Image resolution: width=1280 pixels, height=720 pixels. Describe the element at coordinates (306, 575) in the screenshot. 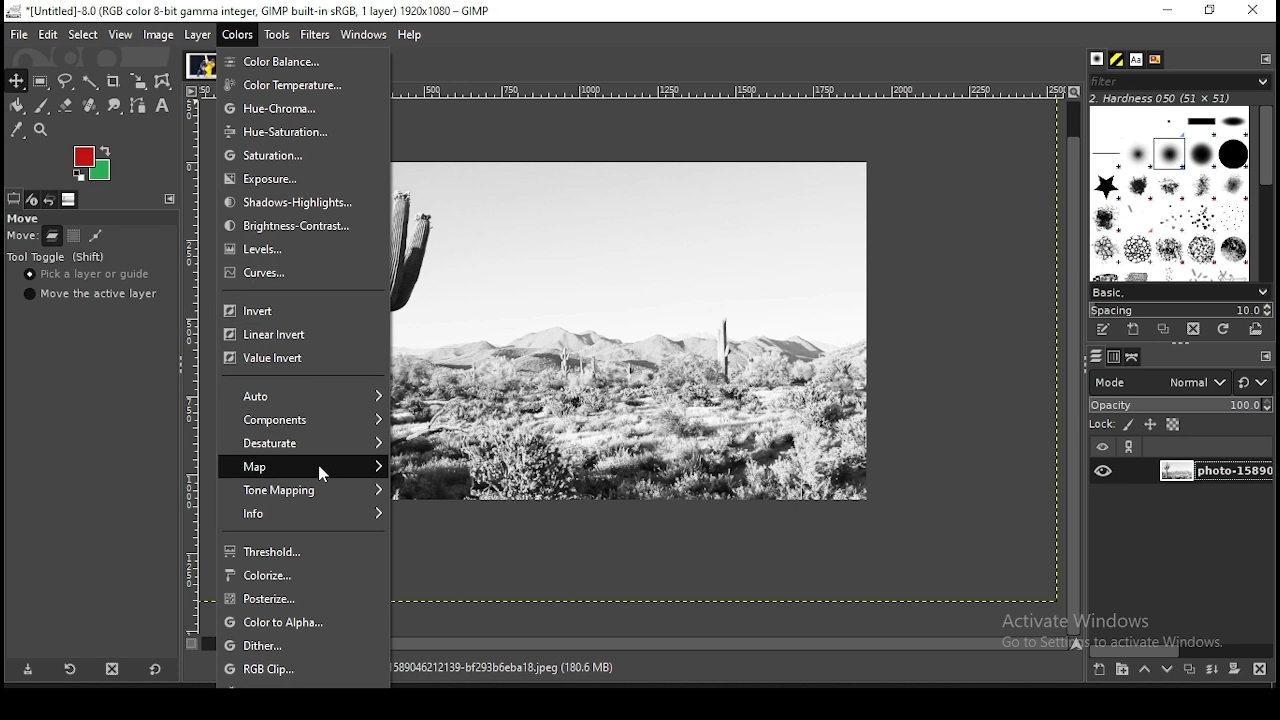

I see `coloroze` at that location.